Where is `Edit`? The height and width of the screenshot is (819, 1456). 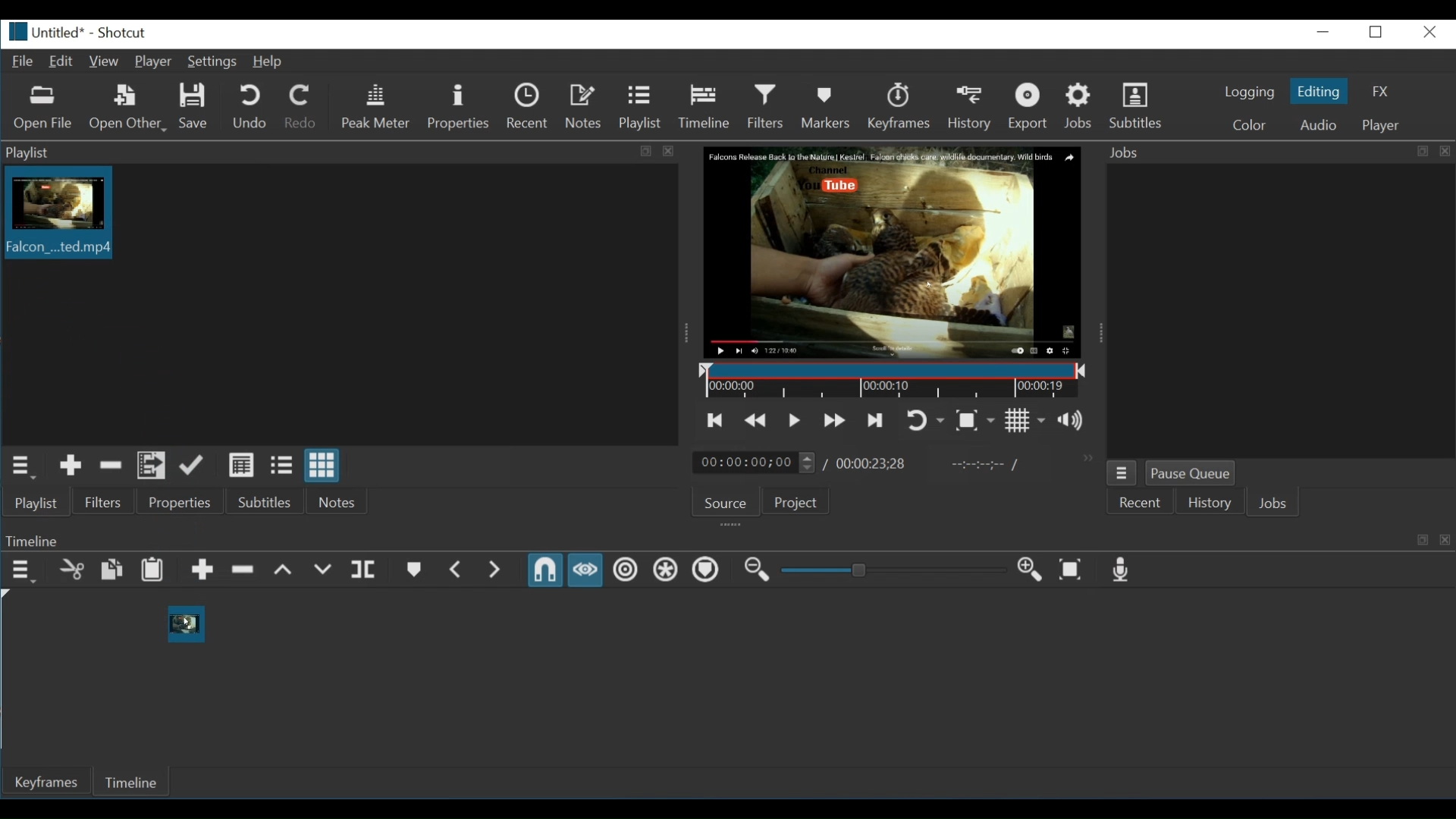
Edit is located at coordinates (61, 62).